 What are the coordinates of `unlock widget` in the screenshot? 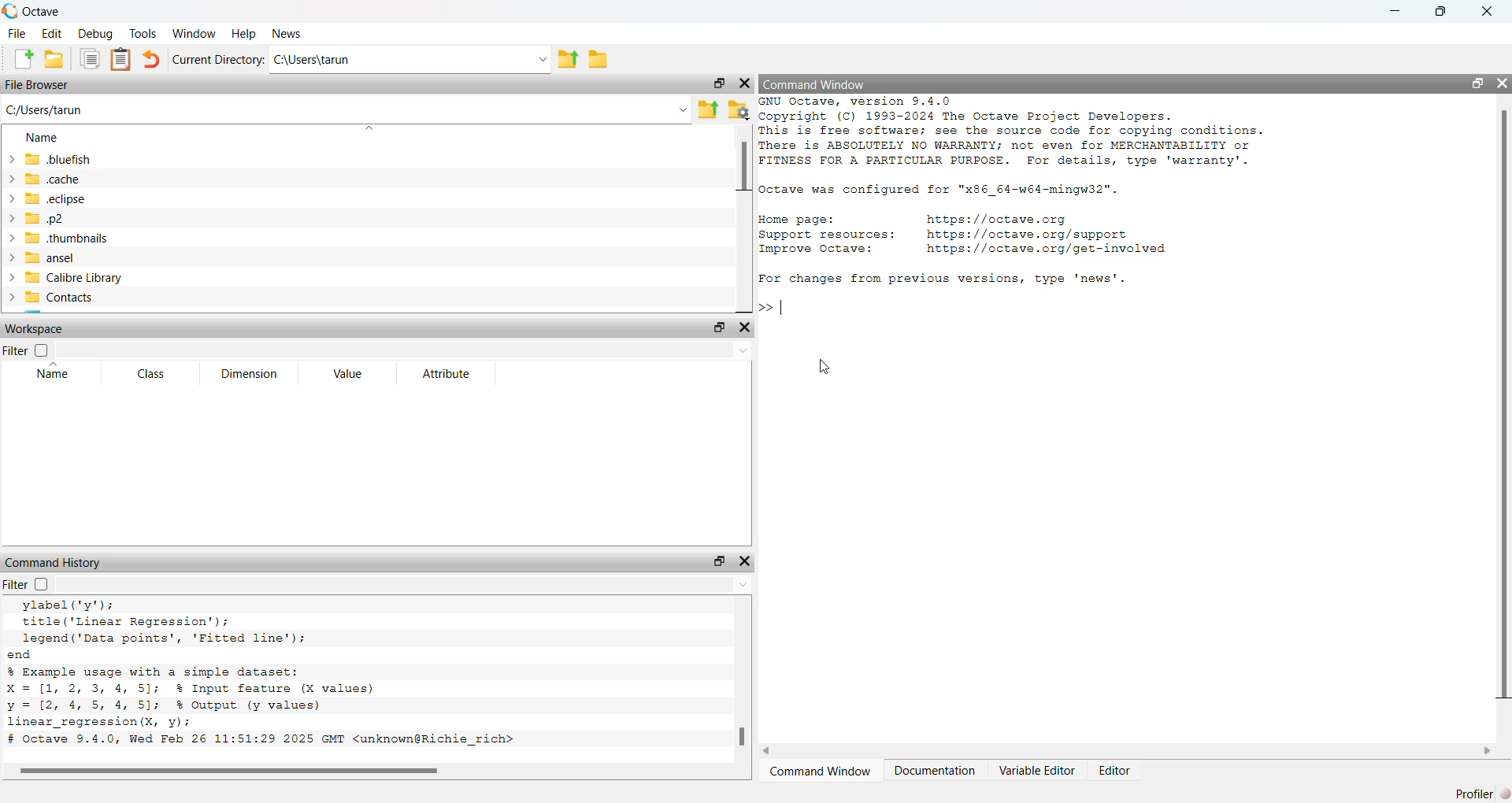 It's located at (717, 560).